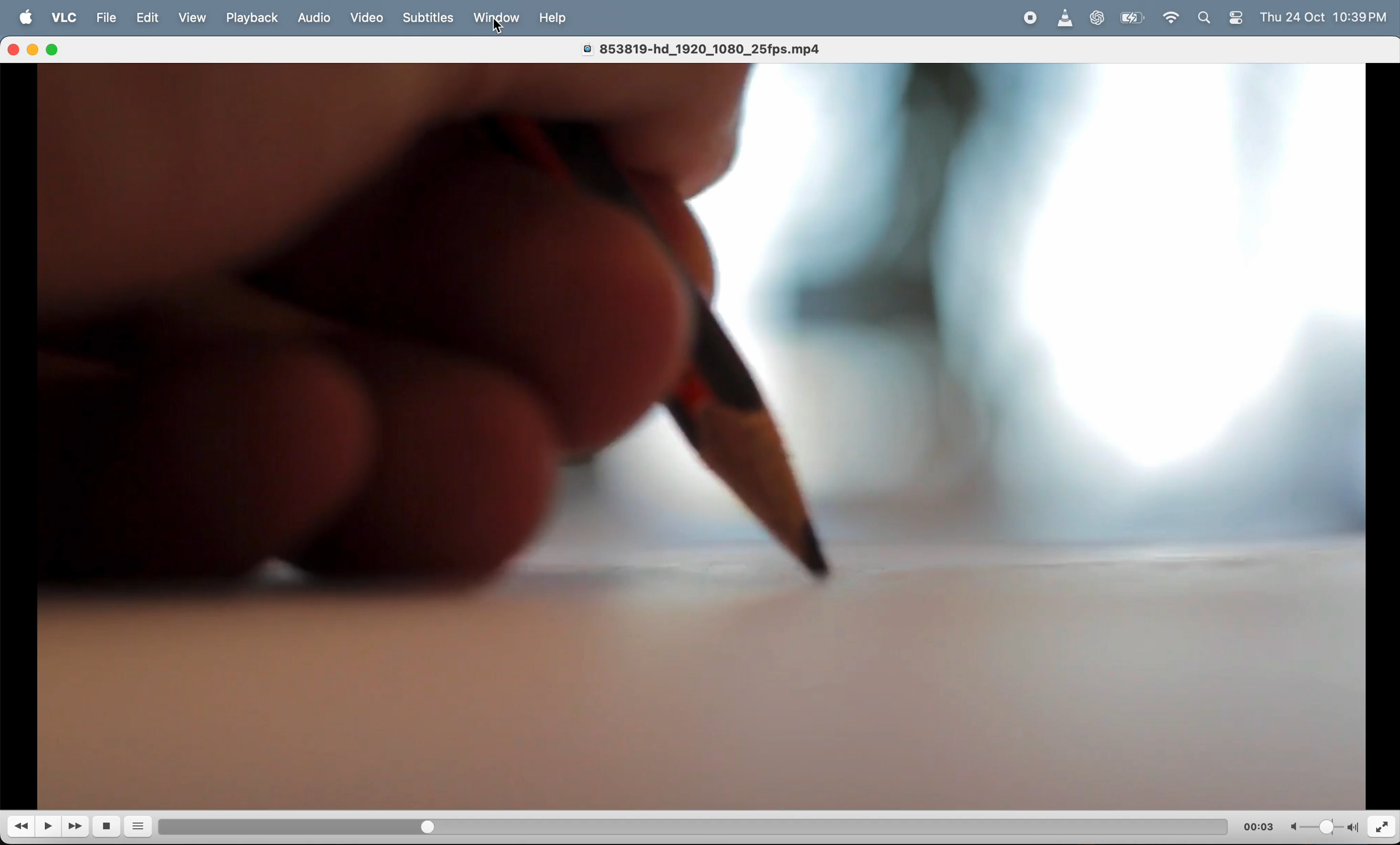 The width and height of the screenshot is (1400, 845). Describe the element at coordinates (253, 17) in the screenshot. I see `playback` at that location.